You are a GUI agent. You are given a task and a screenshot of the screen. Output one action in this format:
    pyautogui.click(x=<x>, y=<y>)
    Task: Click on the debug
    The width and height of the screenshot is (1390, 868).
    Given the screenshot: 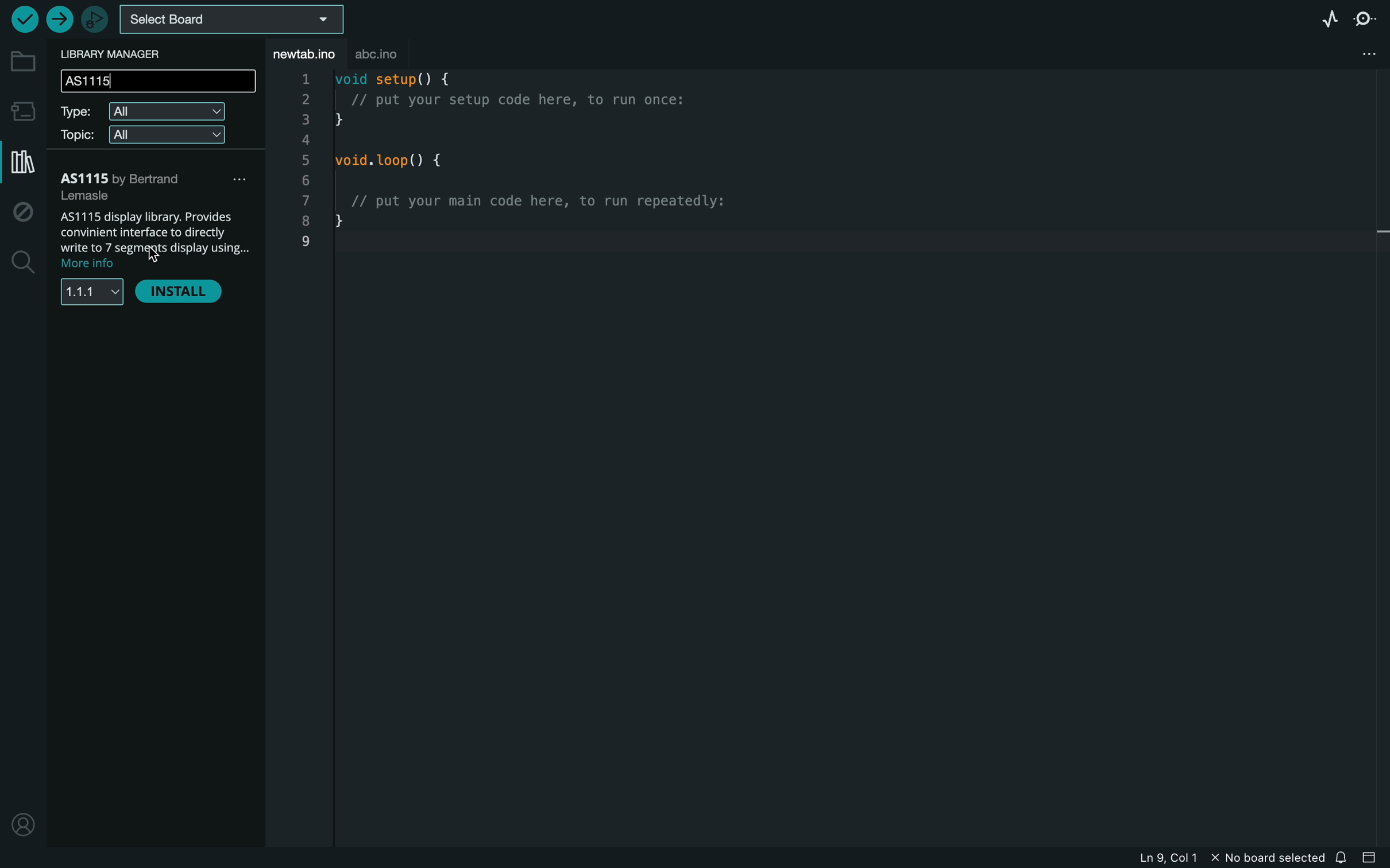 What is the action you would take?
    pyautogui.click(x=25, y=212)
    